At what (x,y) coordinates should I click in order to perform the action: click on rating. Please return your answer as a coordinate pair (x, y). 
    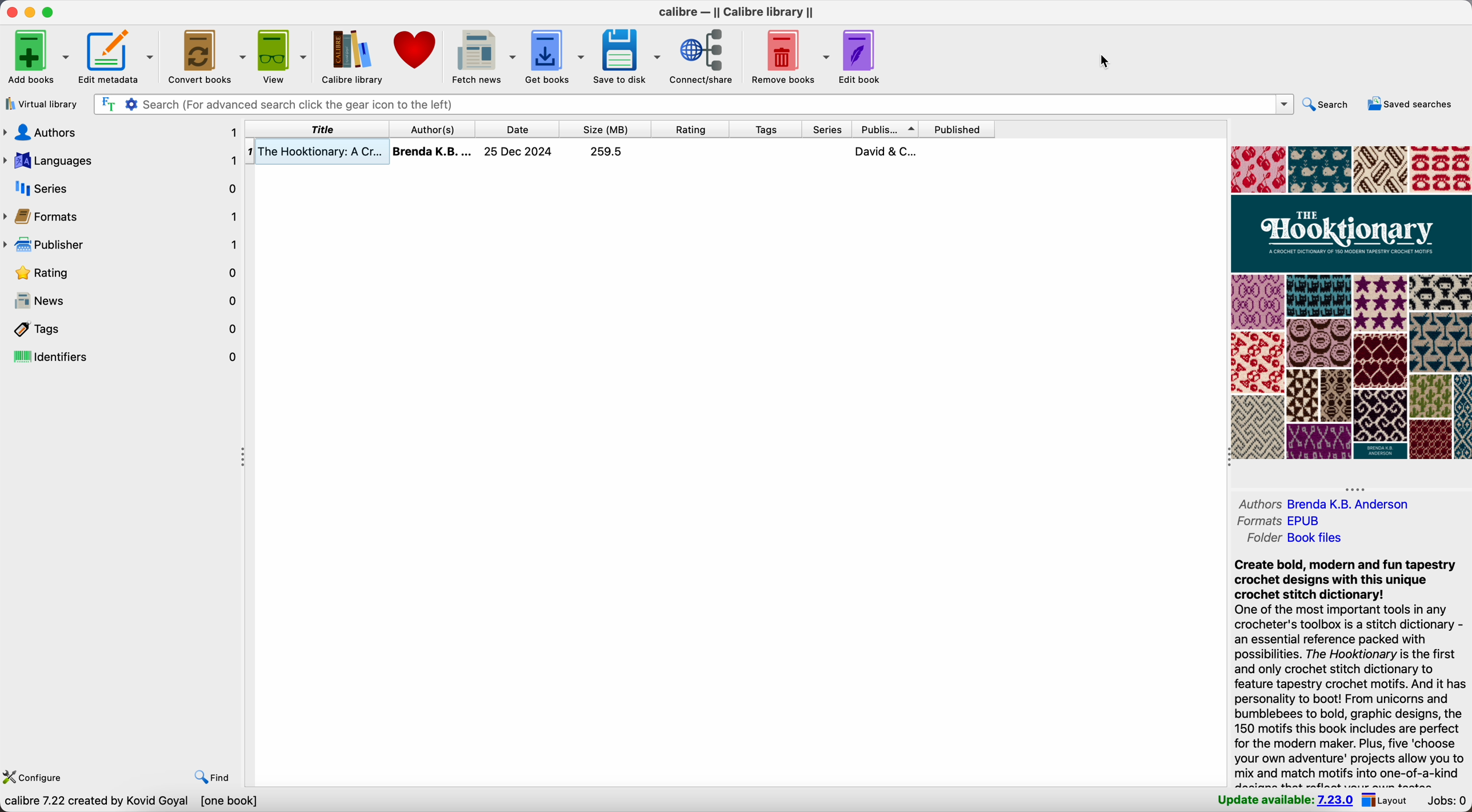
    Looking at the image, I should click on (691, 129).